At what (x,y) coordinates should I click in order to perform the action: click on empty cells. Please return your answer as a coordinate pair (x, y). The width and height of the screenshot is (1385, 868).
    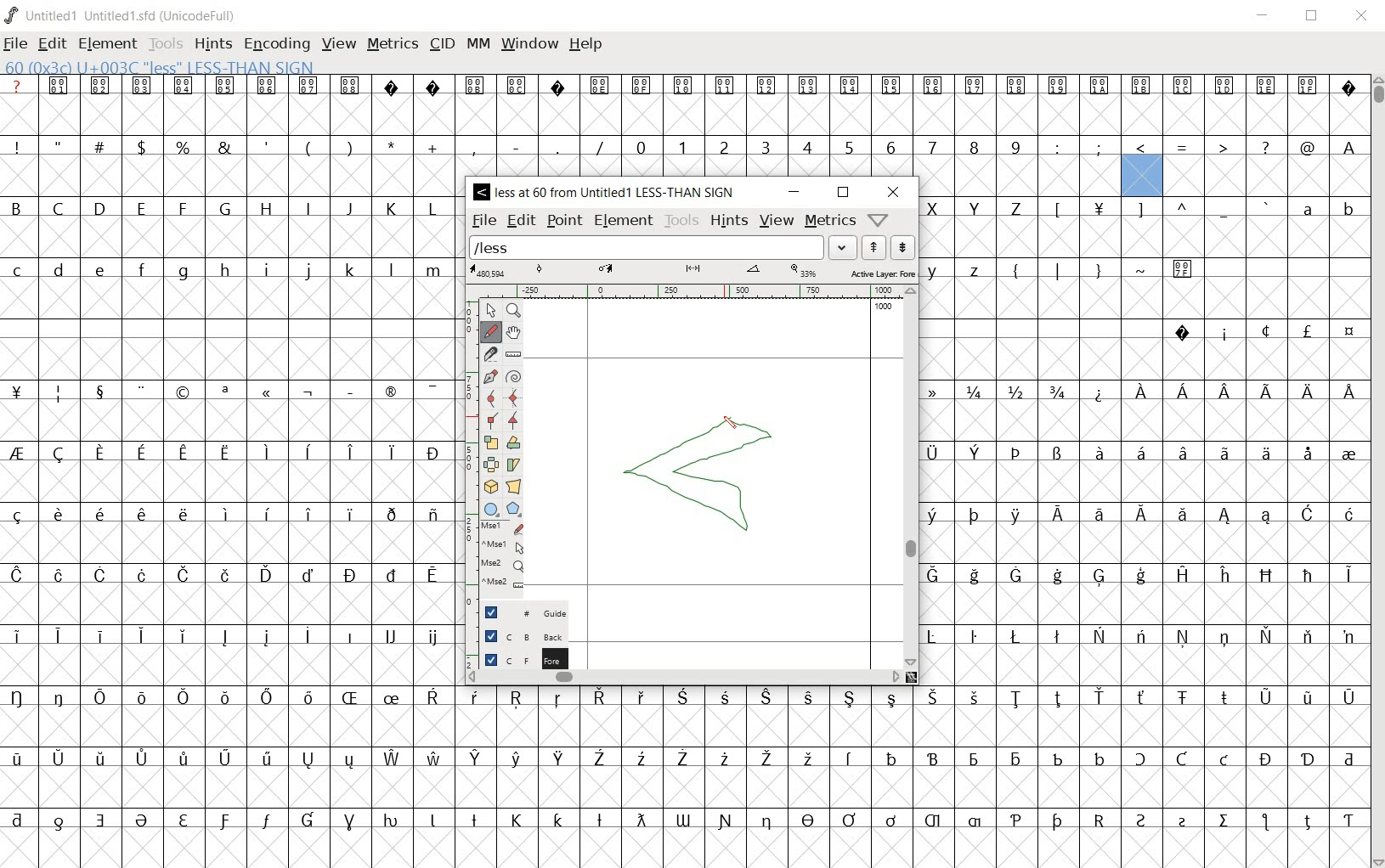
    Looking at the image, I should click on (232, 235).